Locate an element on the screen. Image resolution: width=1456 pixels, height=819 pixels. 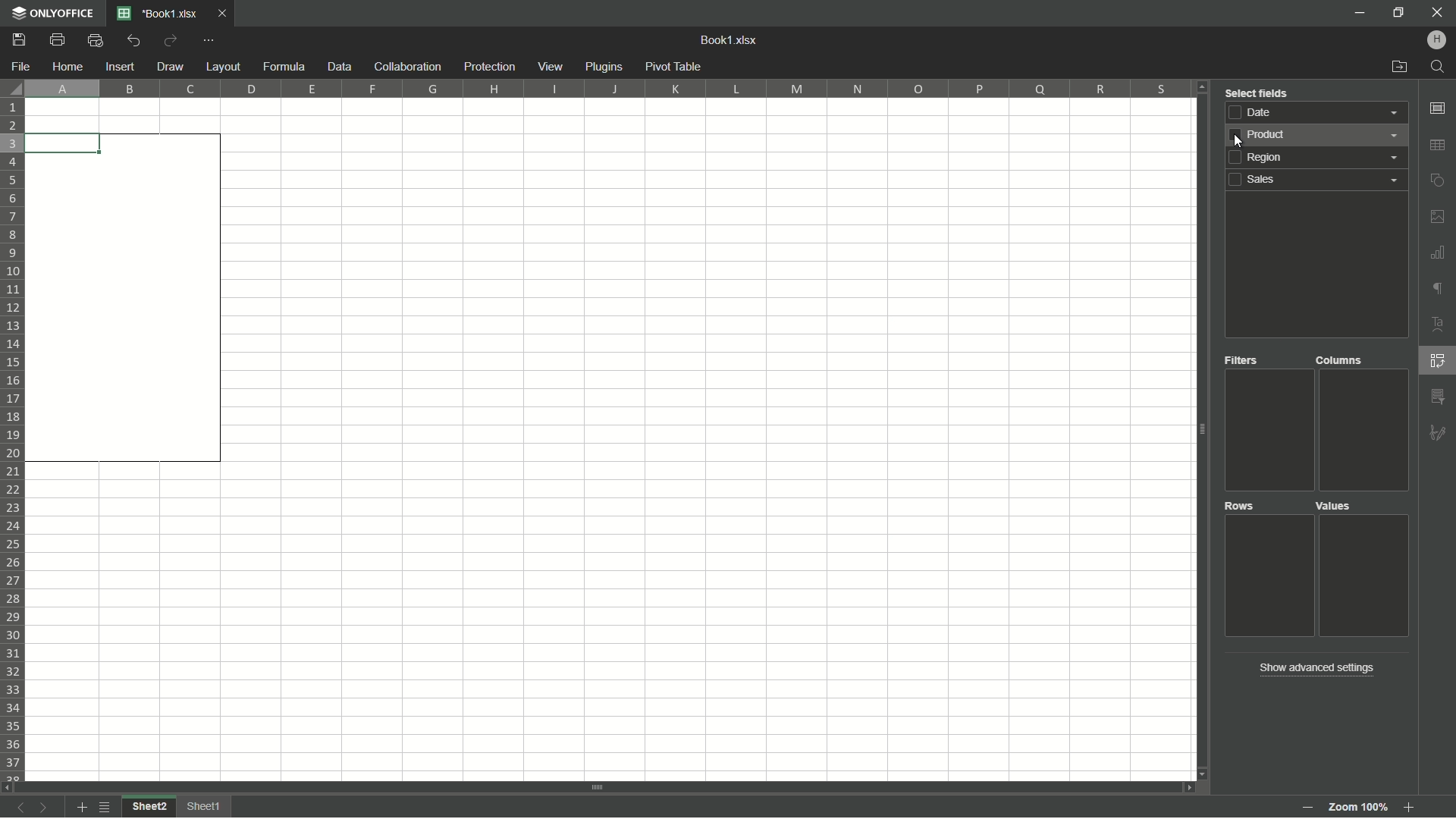
Select fields is located at coordinates (1257, 91).